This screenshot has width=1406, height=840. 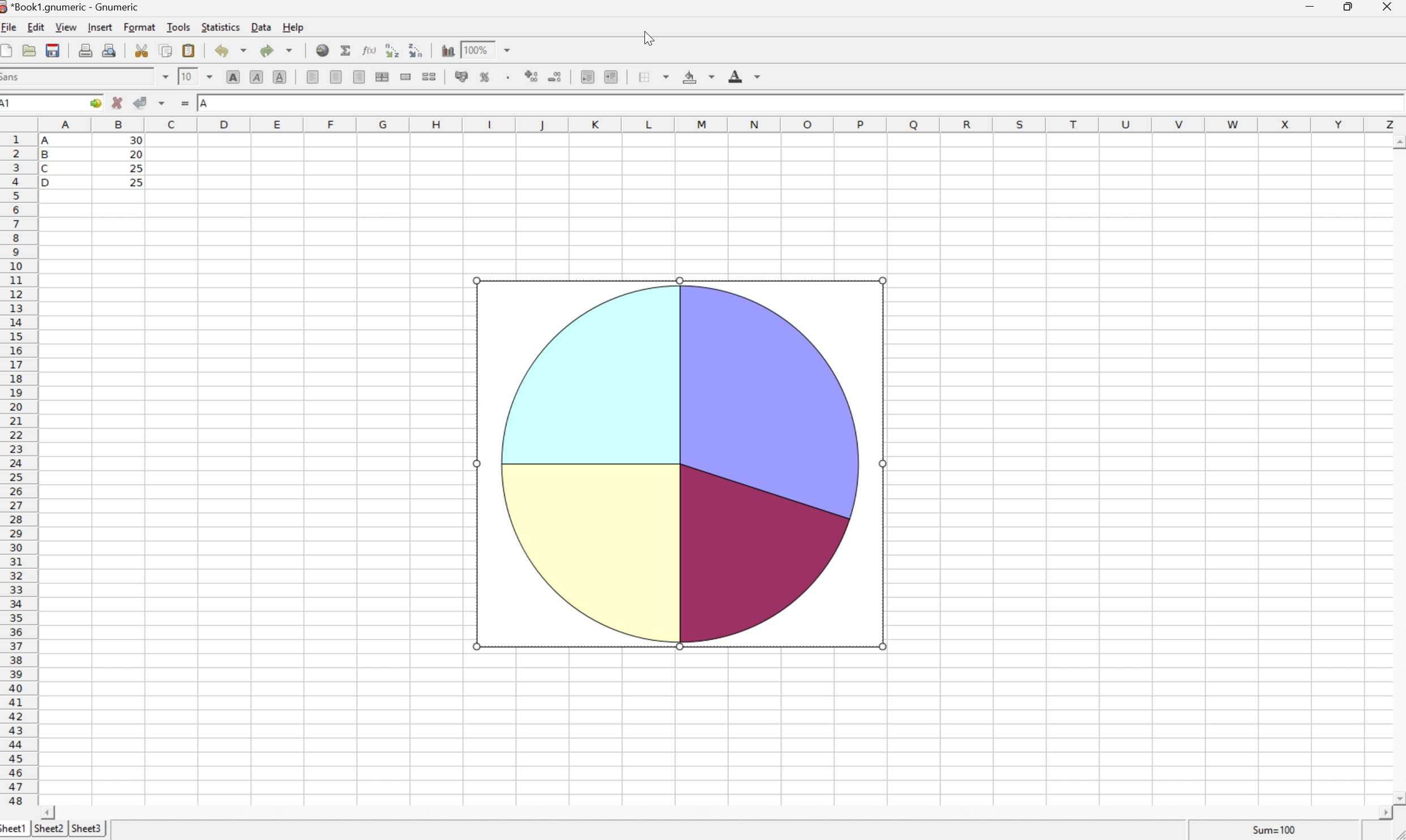 I want to click on Cursor, so click(x=647, y=39).